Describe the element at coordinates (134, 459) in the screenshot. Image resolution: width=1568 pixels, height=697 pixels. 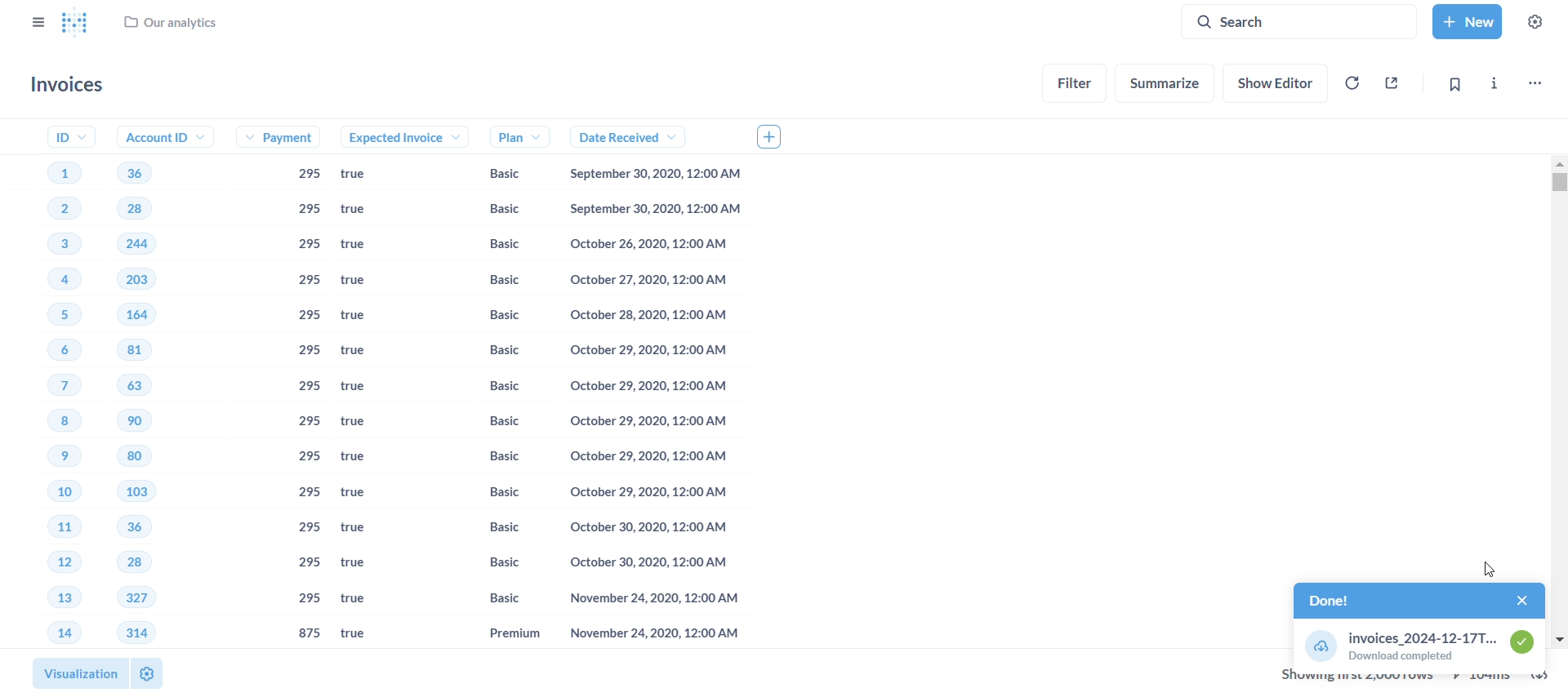
I see `80` at that location.